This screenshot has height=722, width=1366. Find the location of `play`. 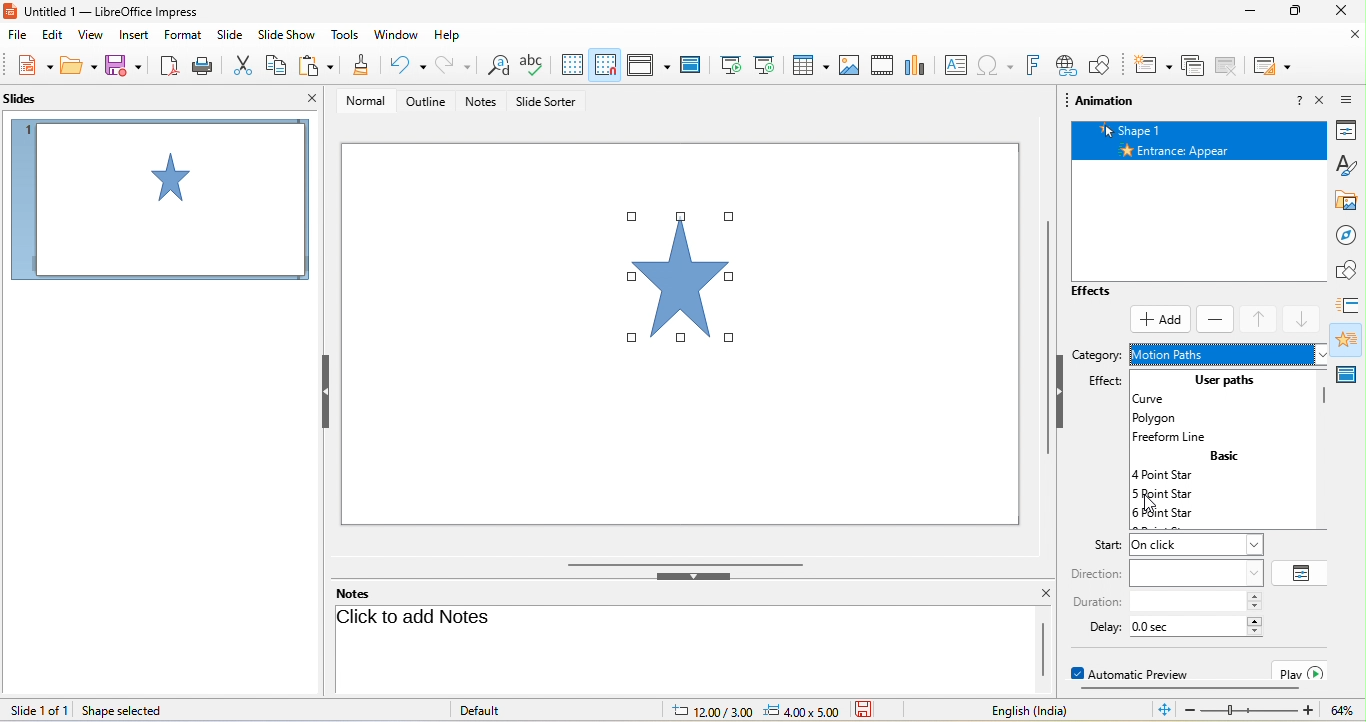

play is located at coordinates (1302, 671).